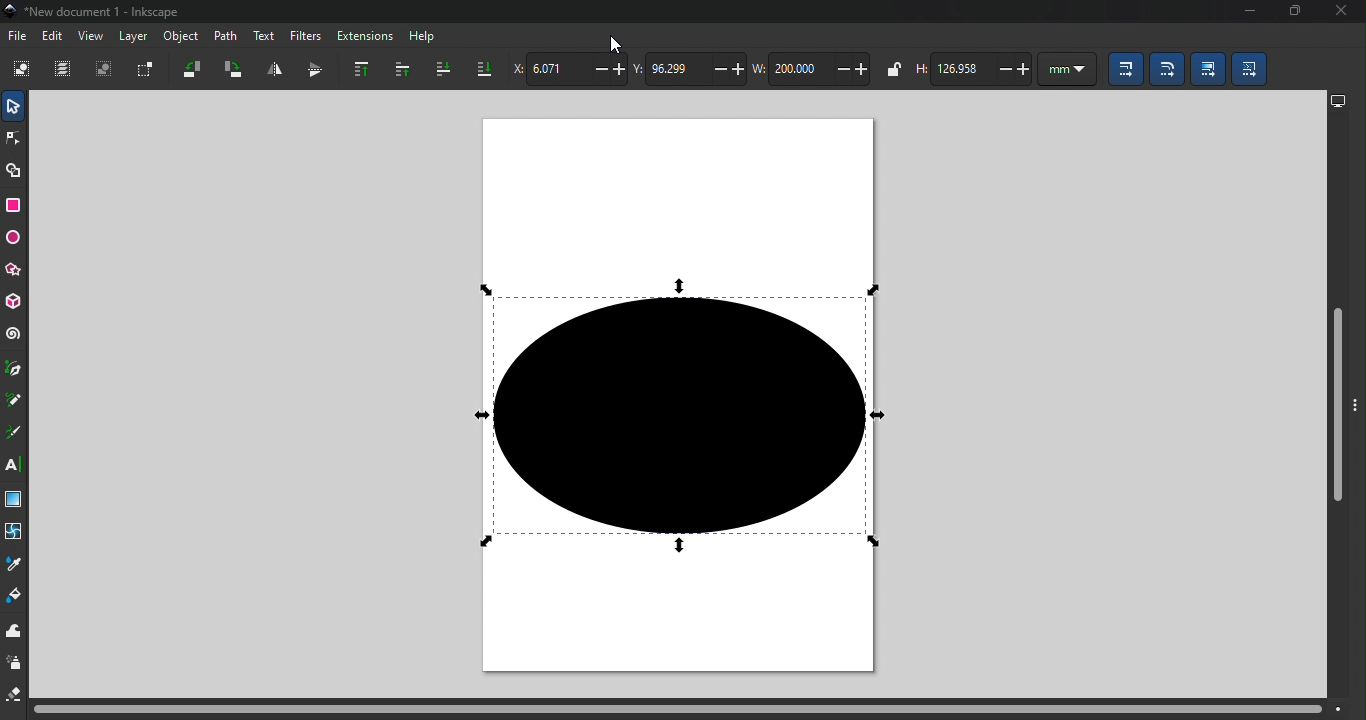 This screenshot has width=1366, height=720. What do you see at coordinates (15, 334) in the screenshot?
I see `Spiral tool` at bounding box center [15, 334].